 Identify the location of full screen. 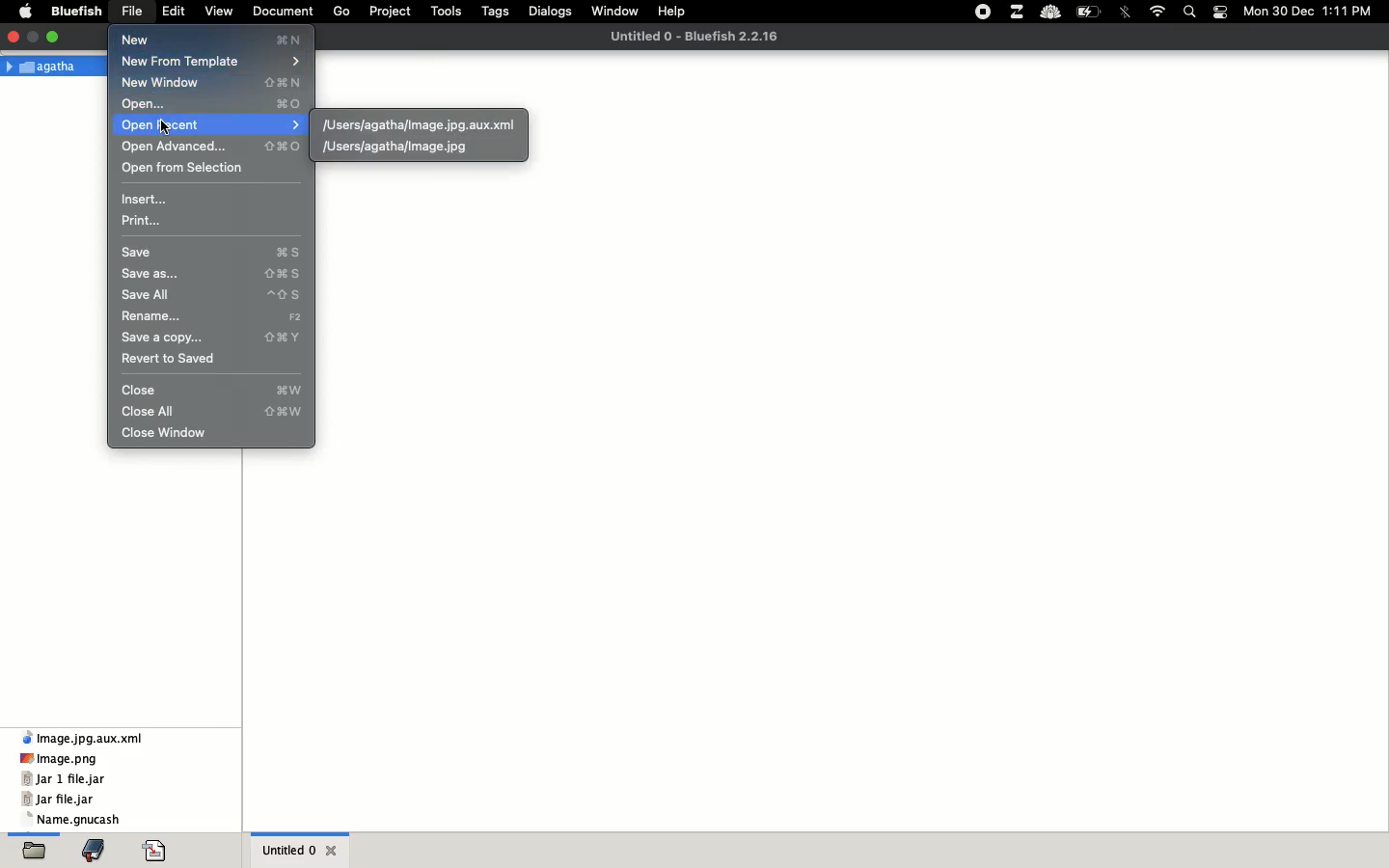
(35, 34).